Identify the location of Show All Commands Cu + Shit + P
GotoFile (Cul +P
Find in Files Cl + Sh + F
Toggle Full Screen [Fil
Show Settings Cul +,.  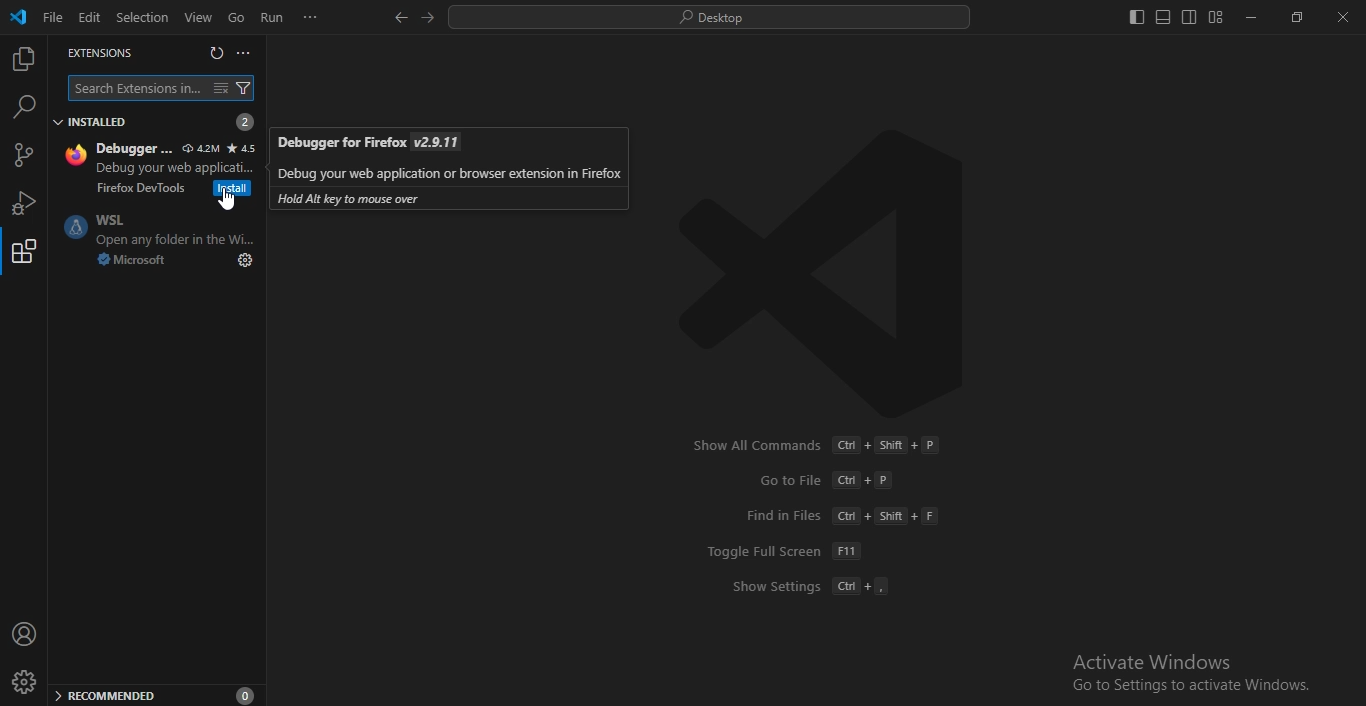
(821, 514).